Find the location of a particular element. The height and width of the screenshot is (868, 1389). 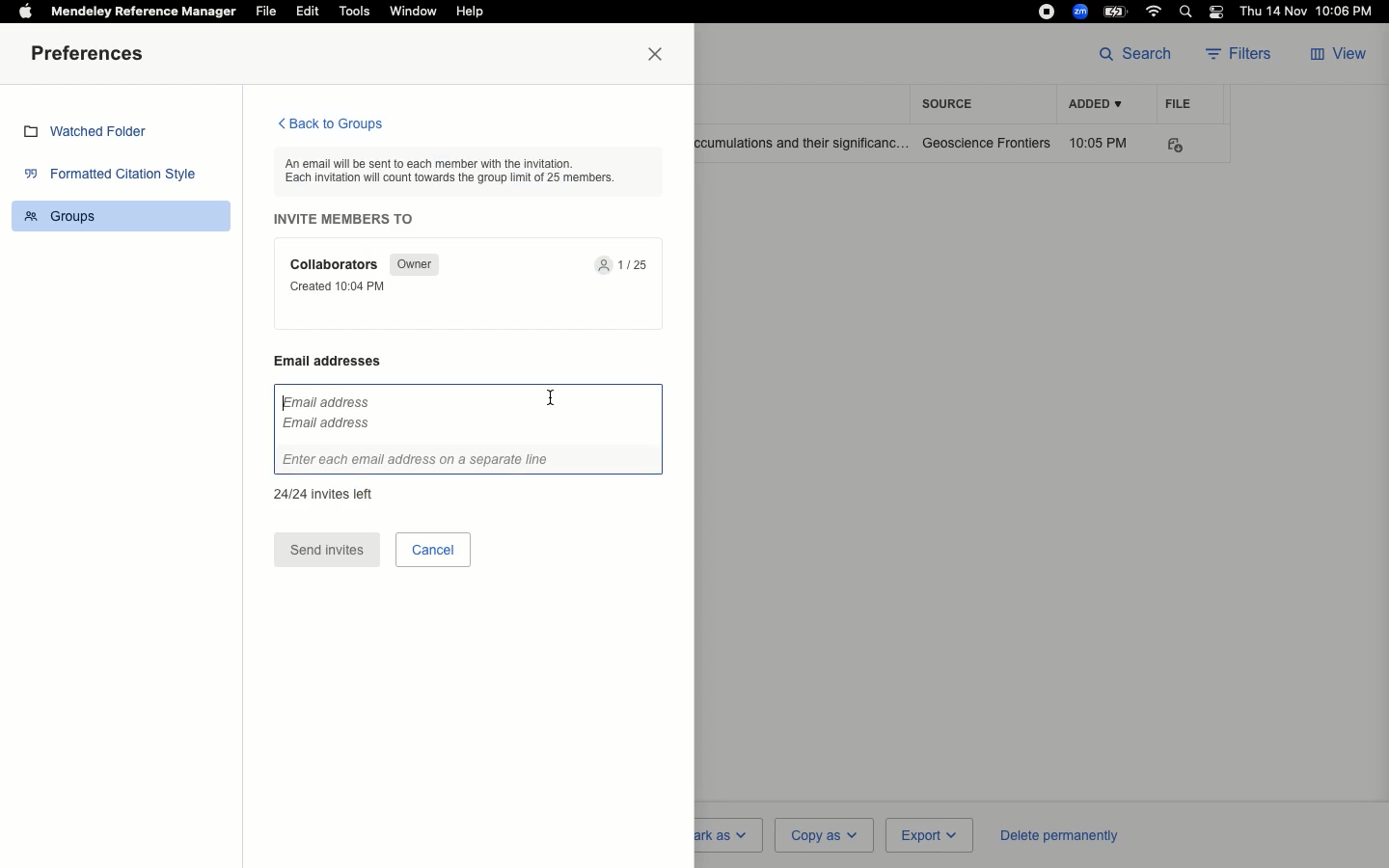

Edit is located at coordinates (308, 11).